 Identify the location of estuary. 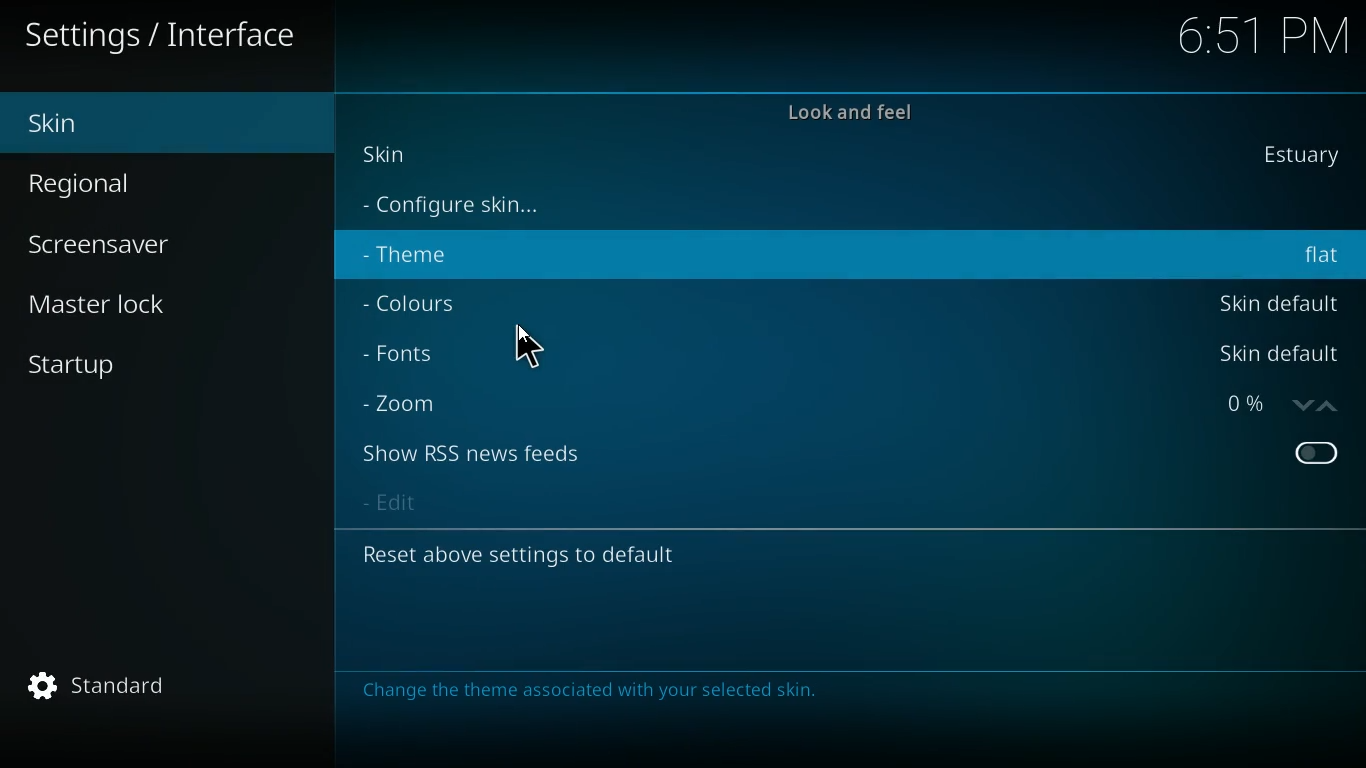
(1294, 155).